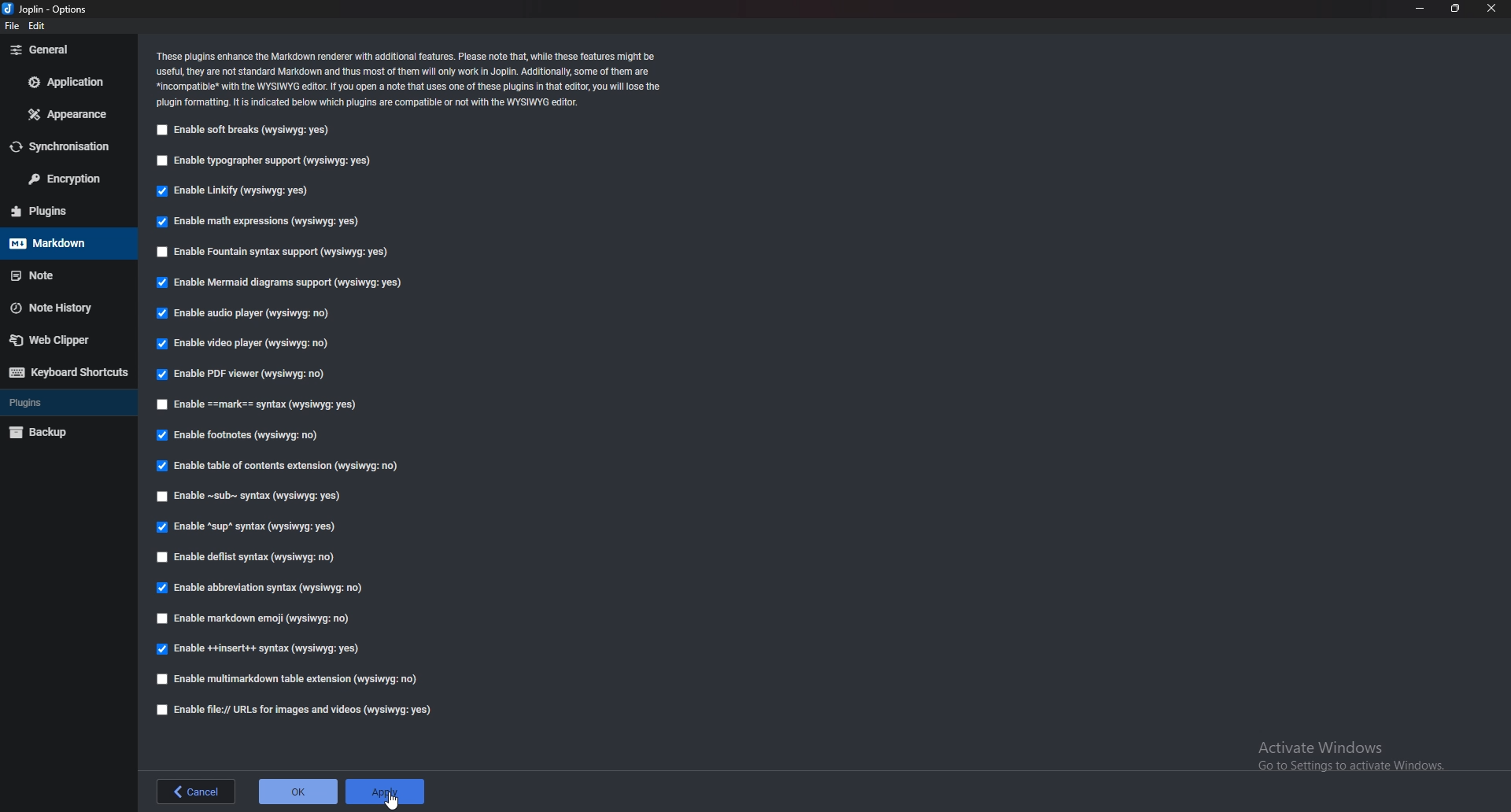 The width and height of the screenshot is (1511, 812). What do you see at coordinates (63, 308) in the screenshot?
I see `Note history` at bounding box center [63, 308].